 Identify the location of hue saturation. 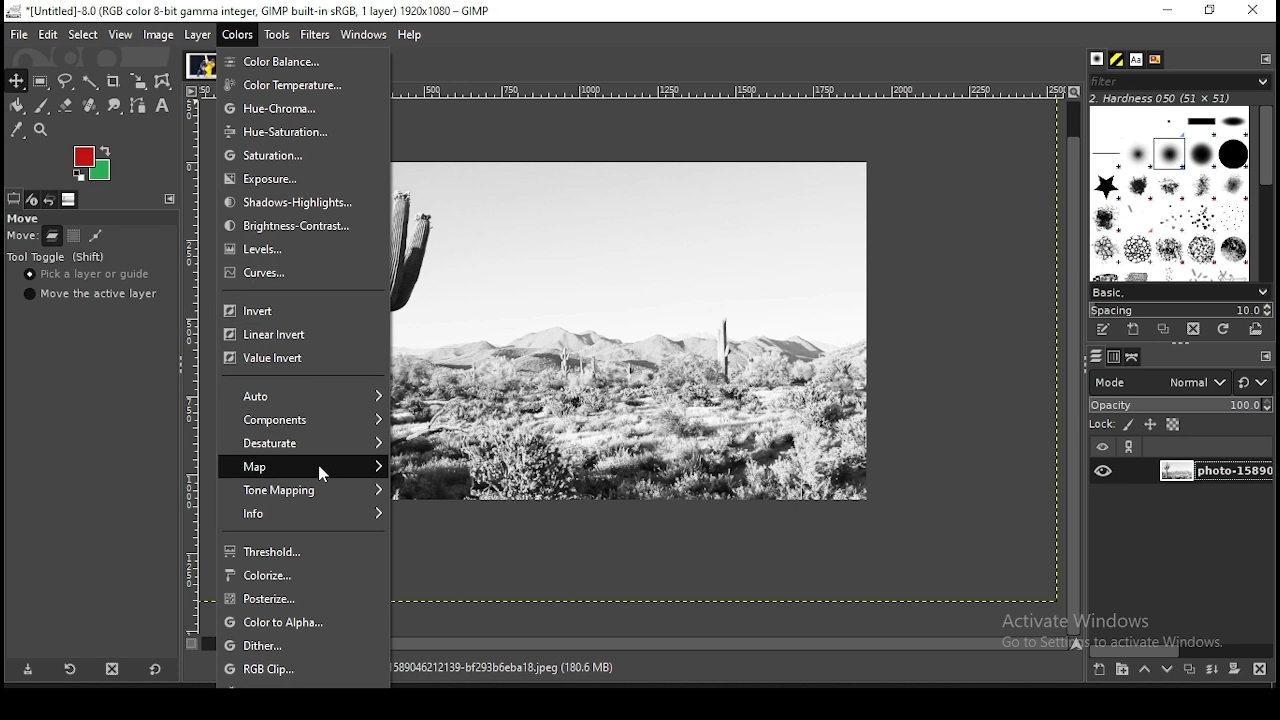
(286, 131).